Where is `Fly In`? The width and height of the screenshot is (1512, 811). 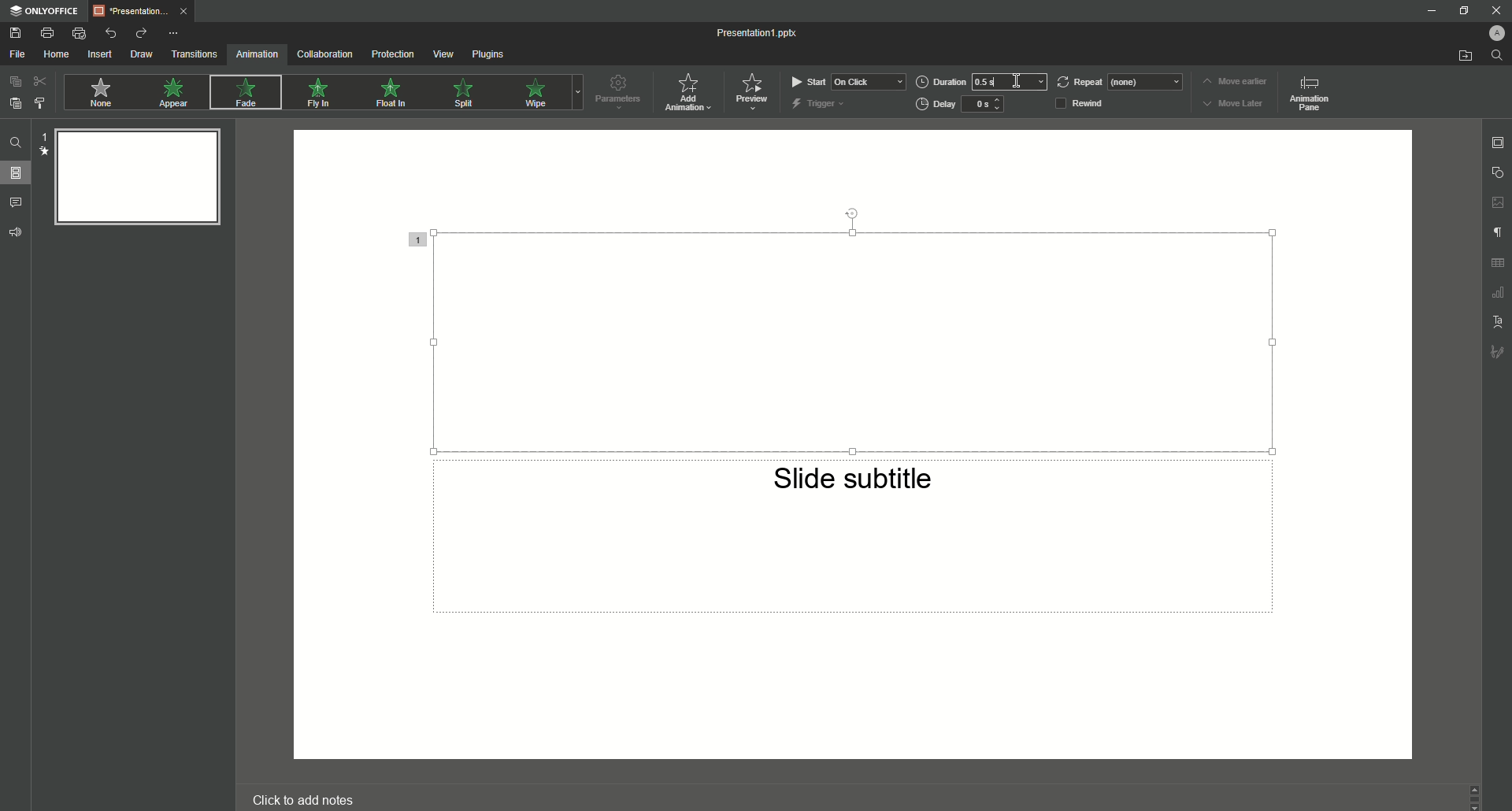
Fly In is located at coordinates (319, 92).